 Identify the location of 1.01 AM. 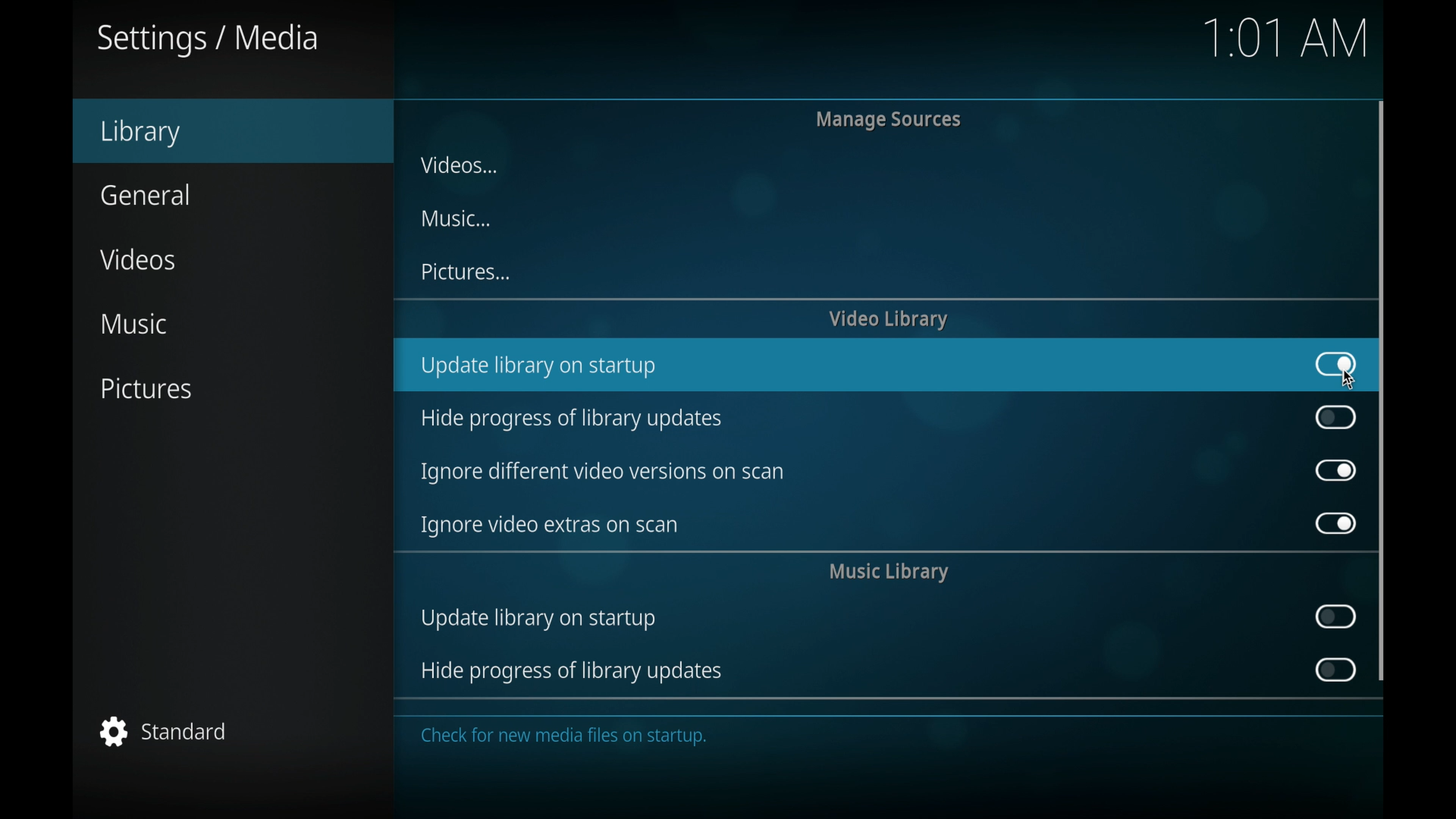
(1285, 44).